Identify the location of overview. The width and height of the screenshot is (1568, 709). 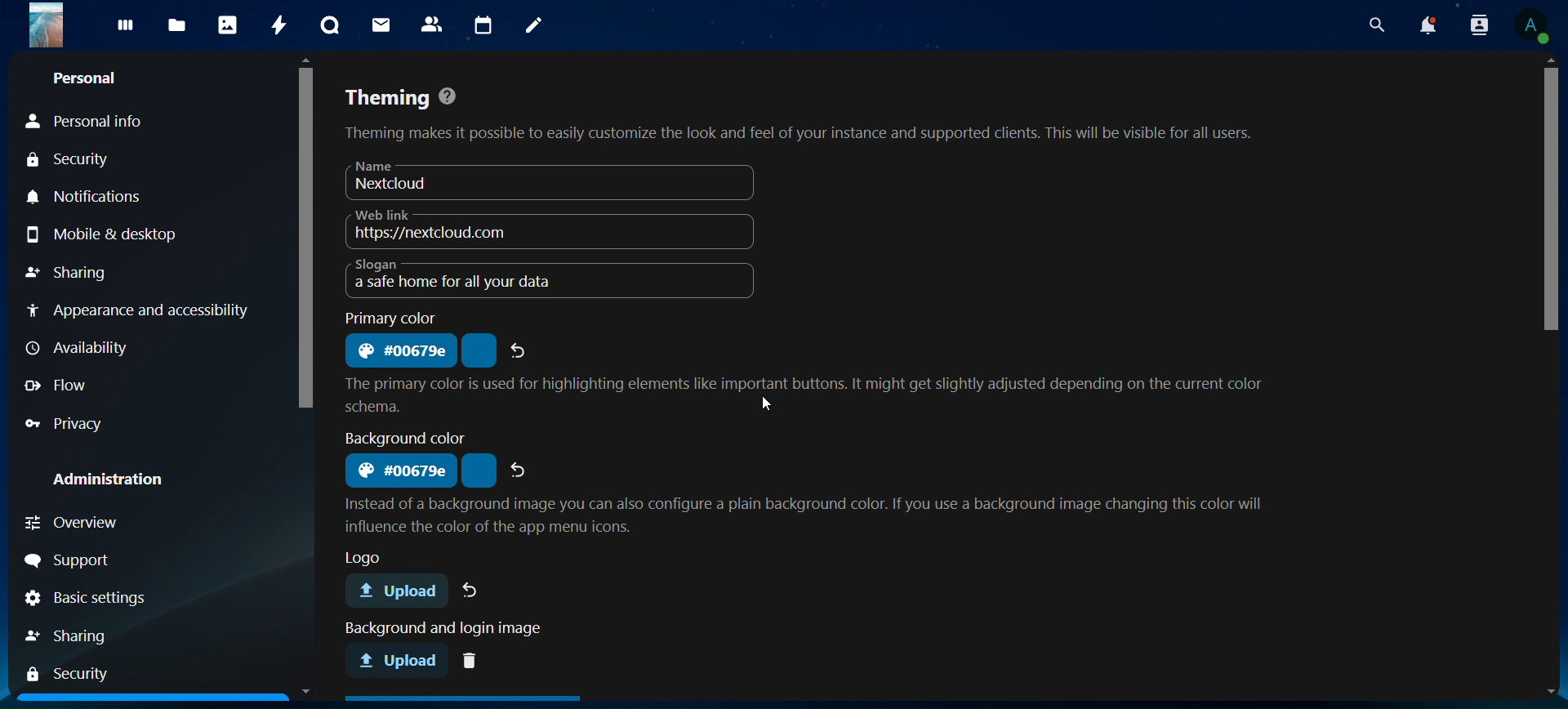
(87, 521).